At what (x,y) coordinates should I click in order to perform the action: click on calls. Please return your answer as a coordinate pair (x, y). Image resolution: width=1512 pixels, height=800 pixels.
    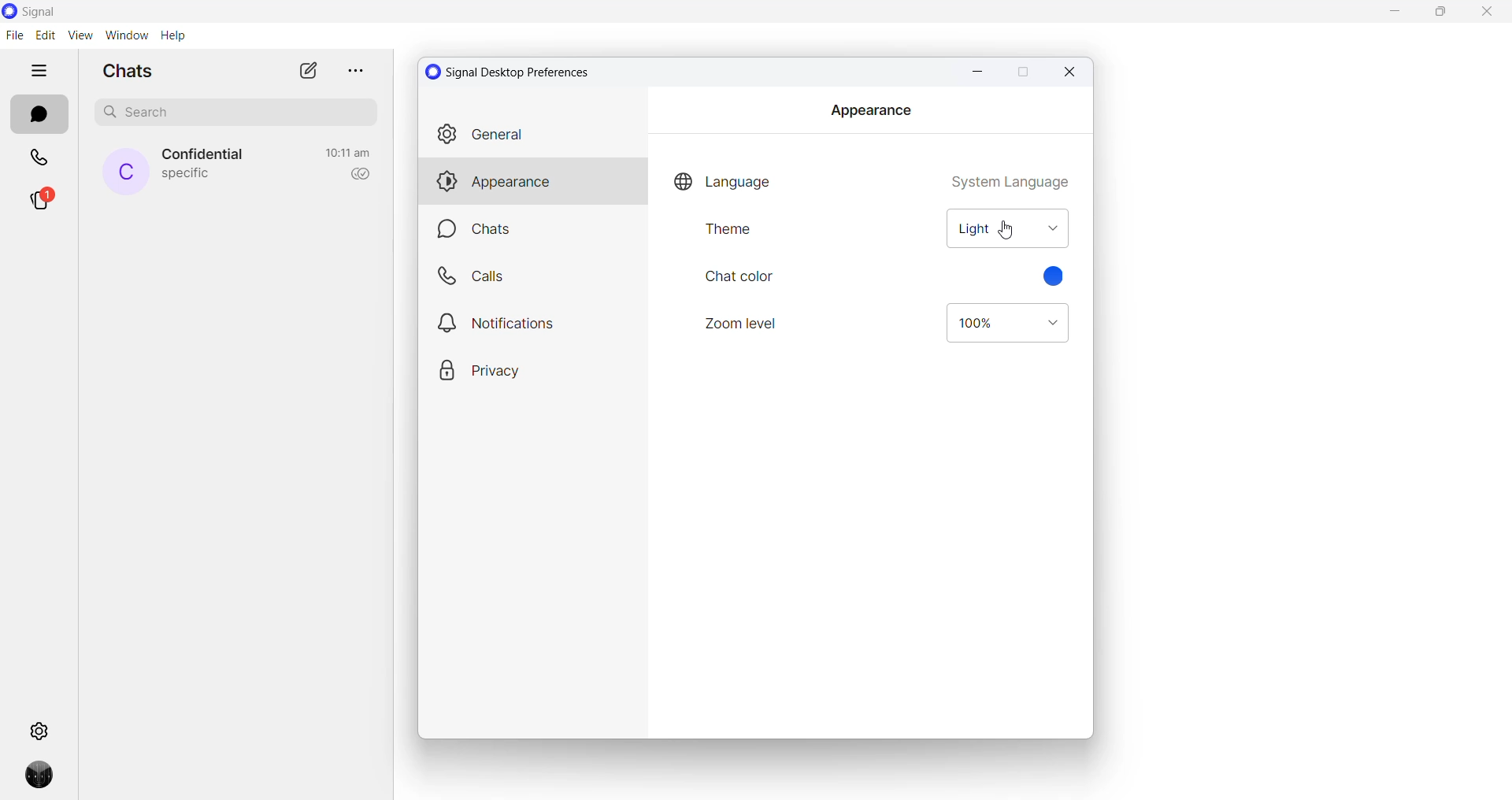
    Looking at the image, I should click on (41, 160).